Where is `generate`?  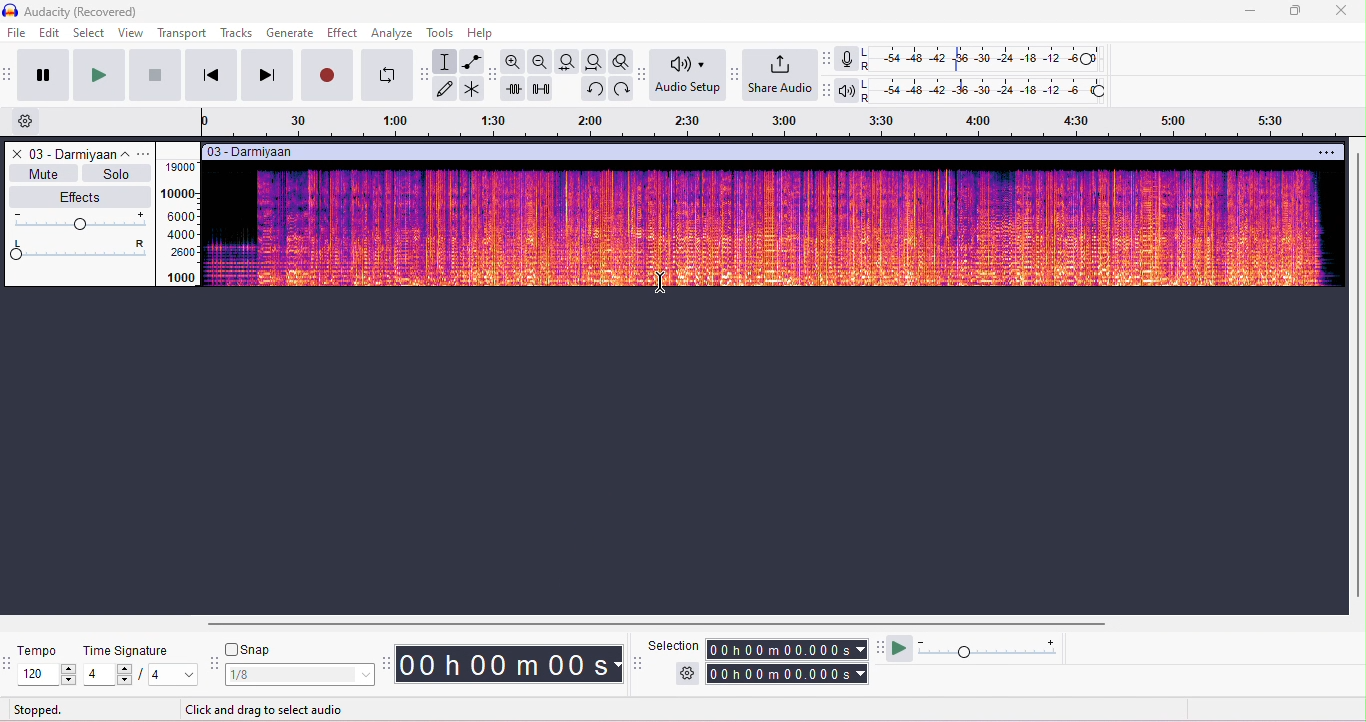 generate is located at coordinates (290, 32).